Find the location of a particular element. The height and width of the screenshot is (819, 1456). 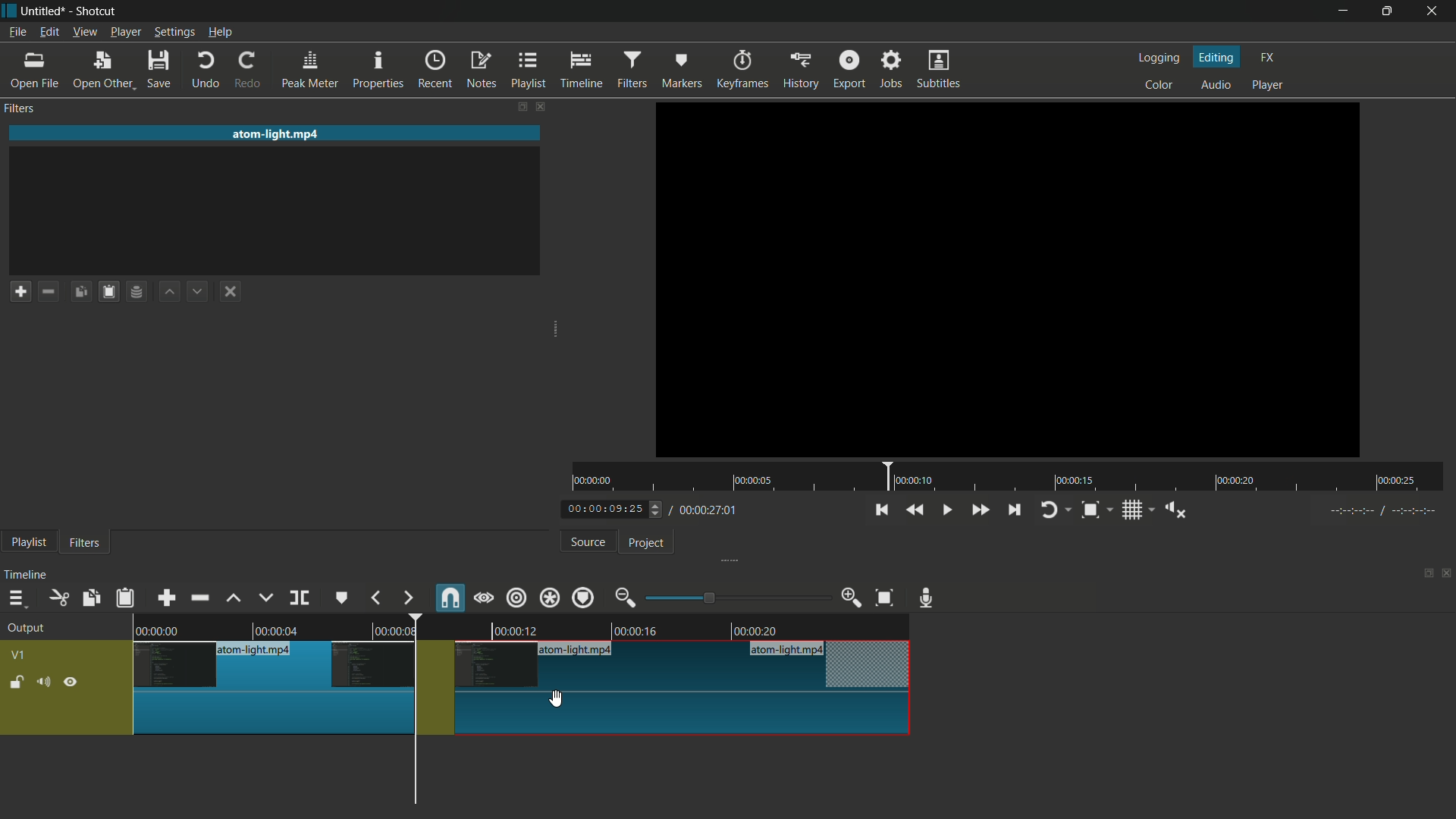

audio is located at coordinates (1217, 84).